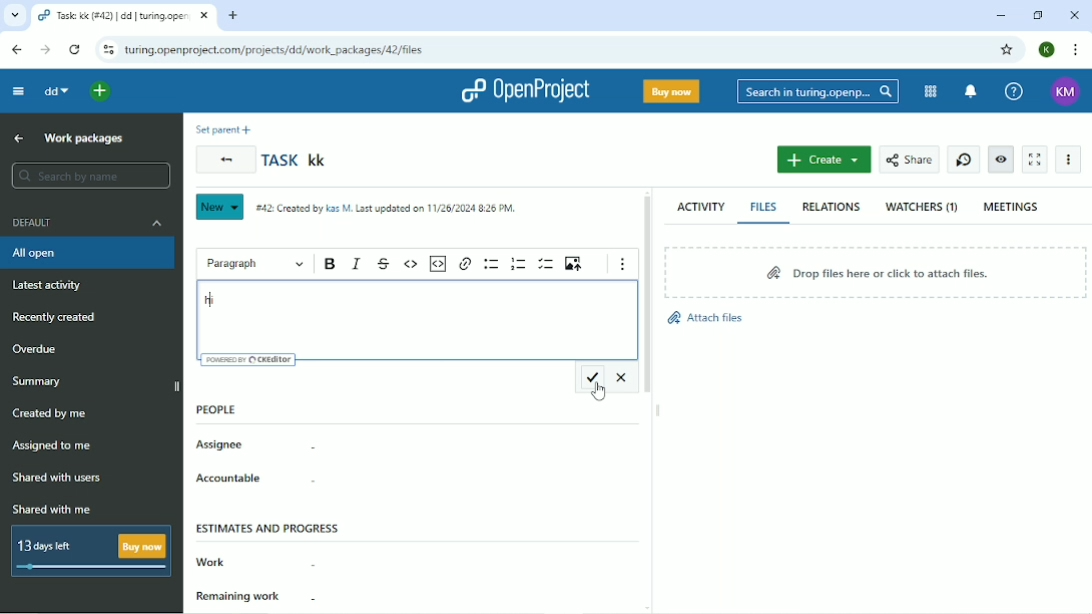 This screenshot has width=1092, height=614. Describe the element at coordinates (75, 48) in the screenshot. I see `Reload this page` at that location.